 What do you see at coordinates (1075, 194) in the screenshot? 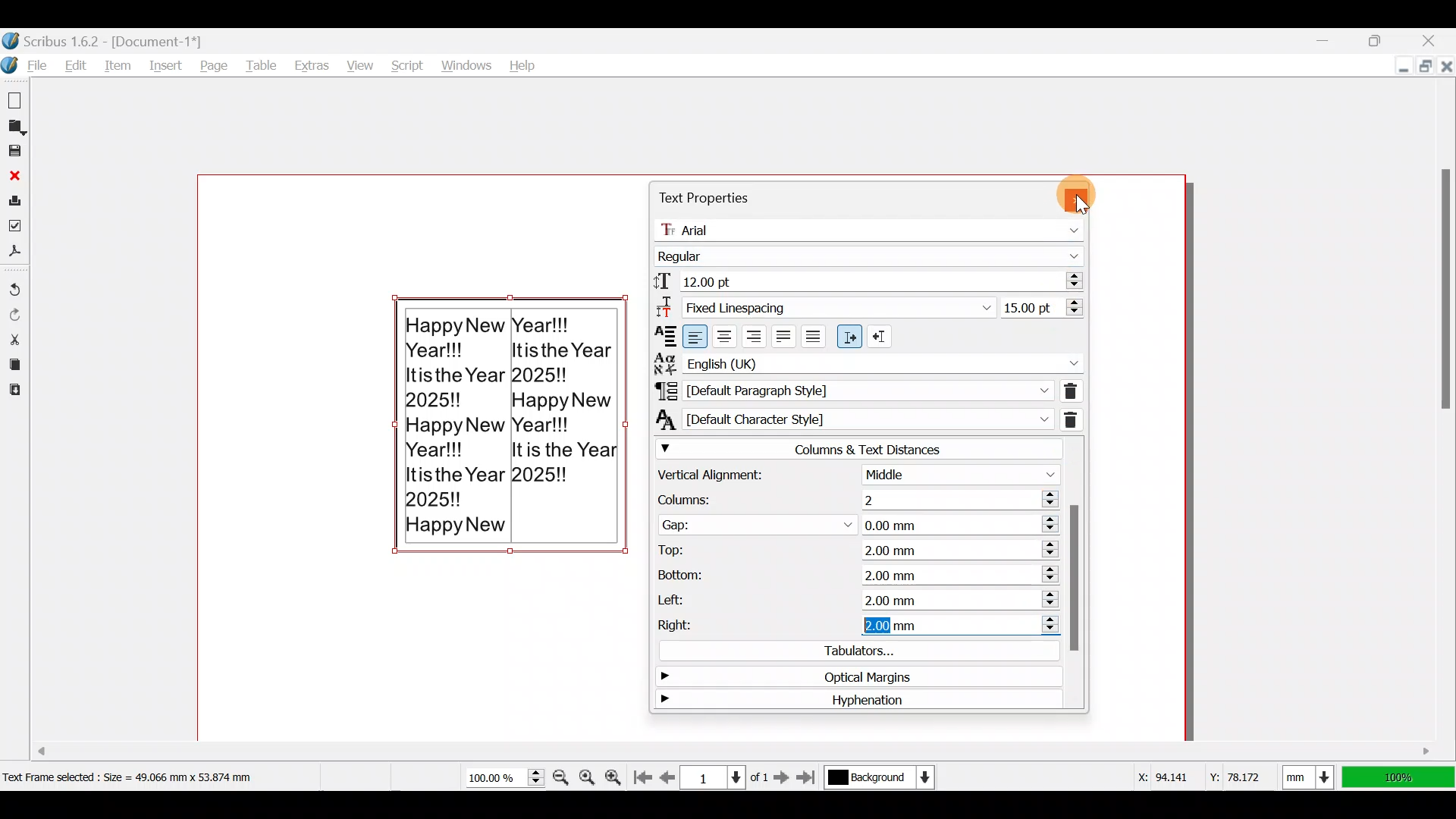
I see `Close` at bounding box center [1075, 194].